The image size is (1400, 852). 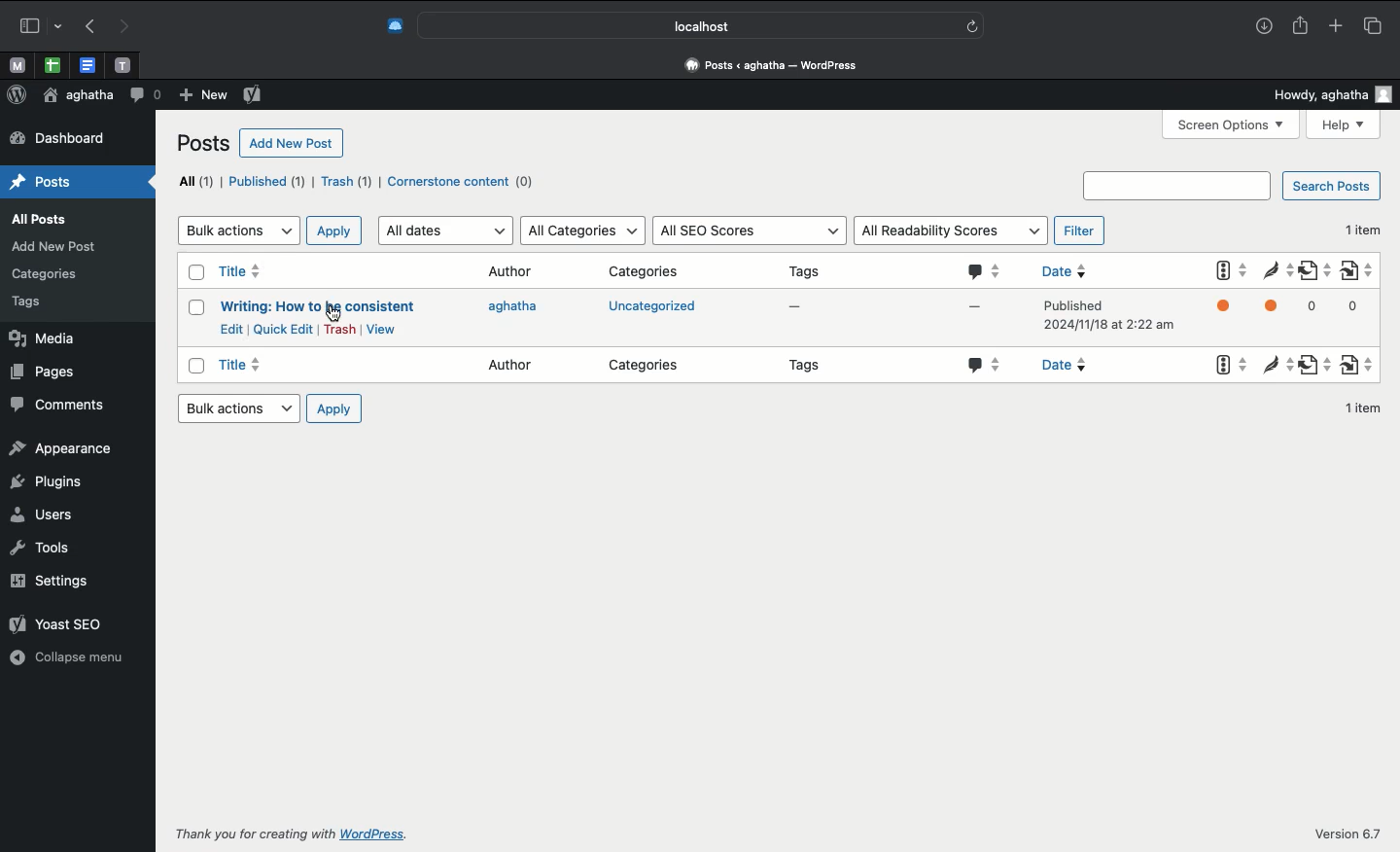 I want to click on Wordpress, so click(x=18, y=95).